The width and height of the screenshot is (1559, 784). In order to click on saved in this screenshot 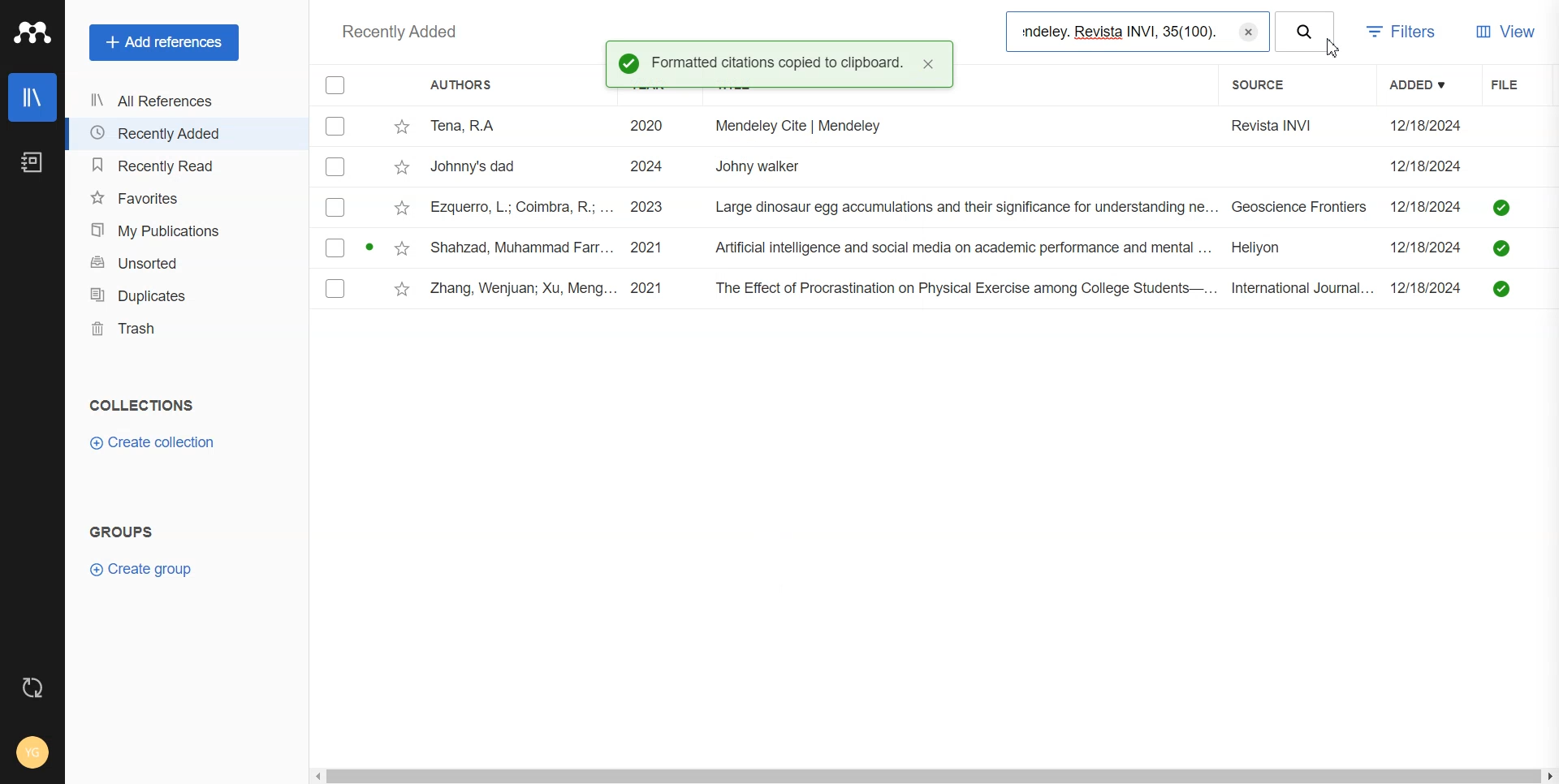, I will do `click(1501, 250)`.